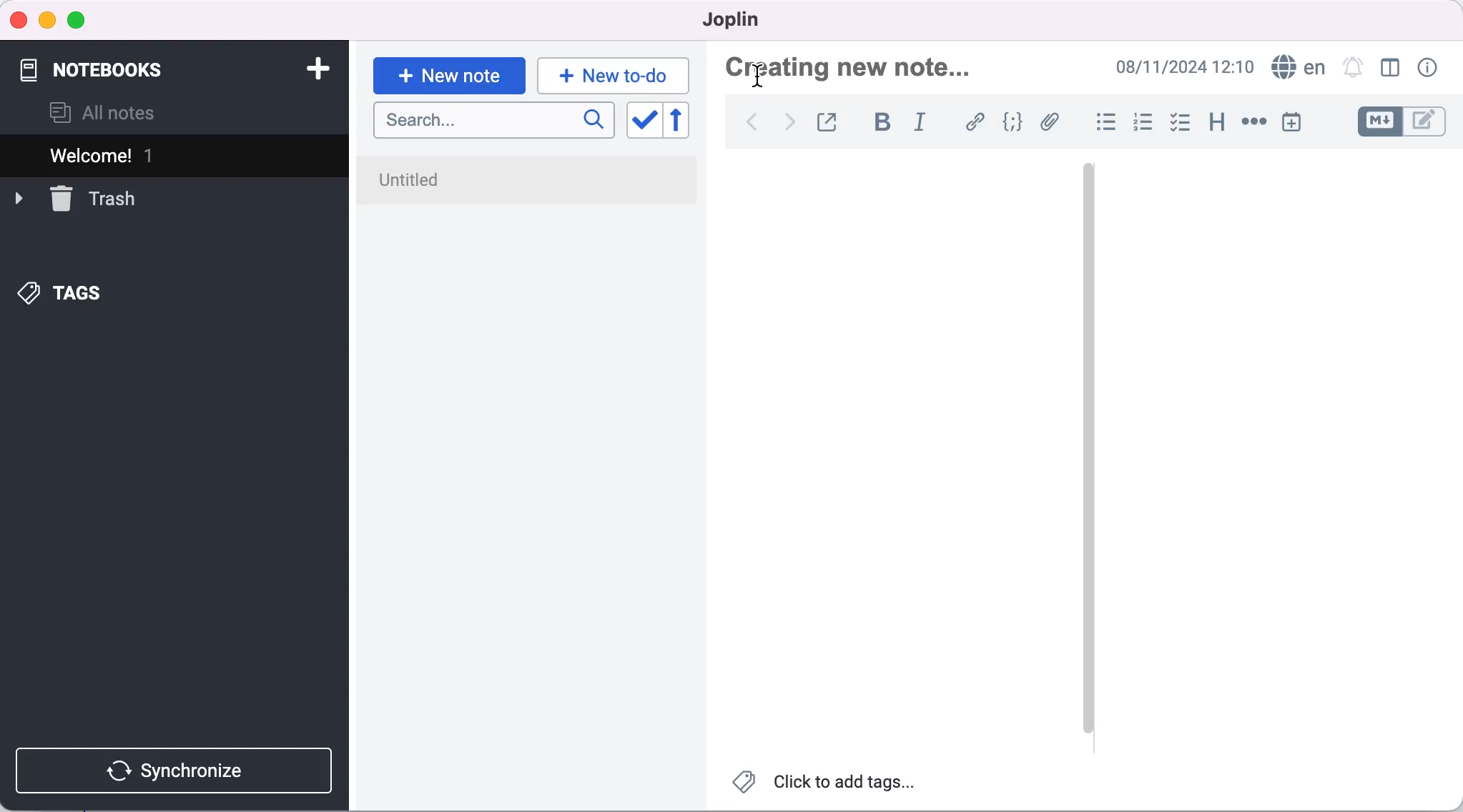 Image resolution: width=1463 pixels, height=812 pixels. Describe the element at coordinates (315, 67) in the screenshot. I see `add notebook` at that location.